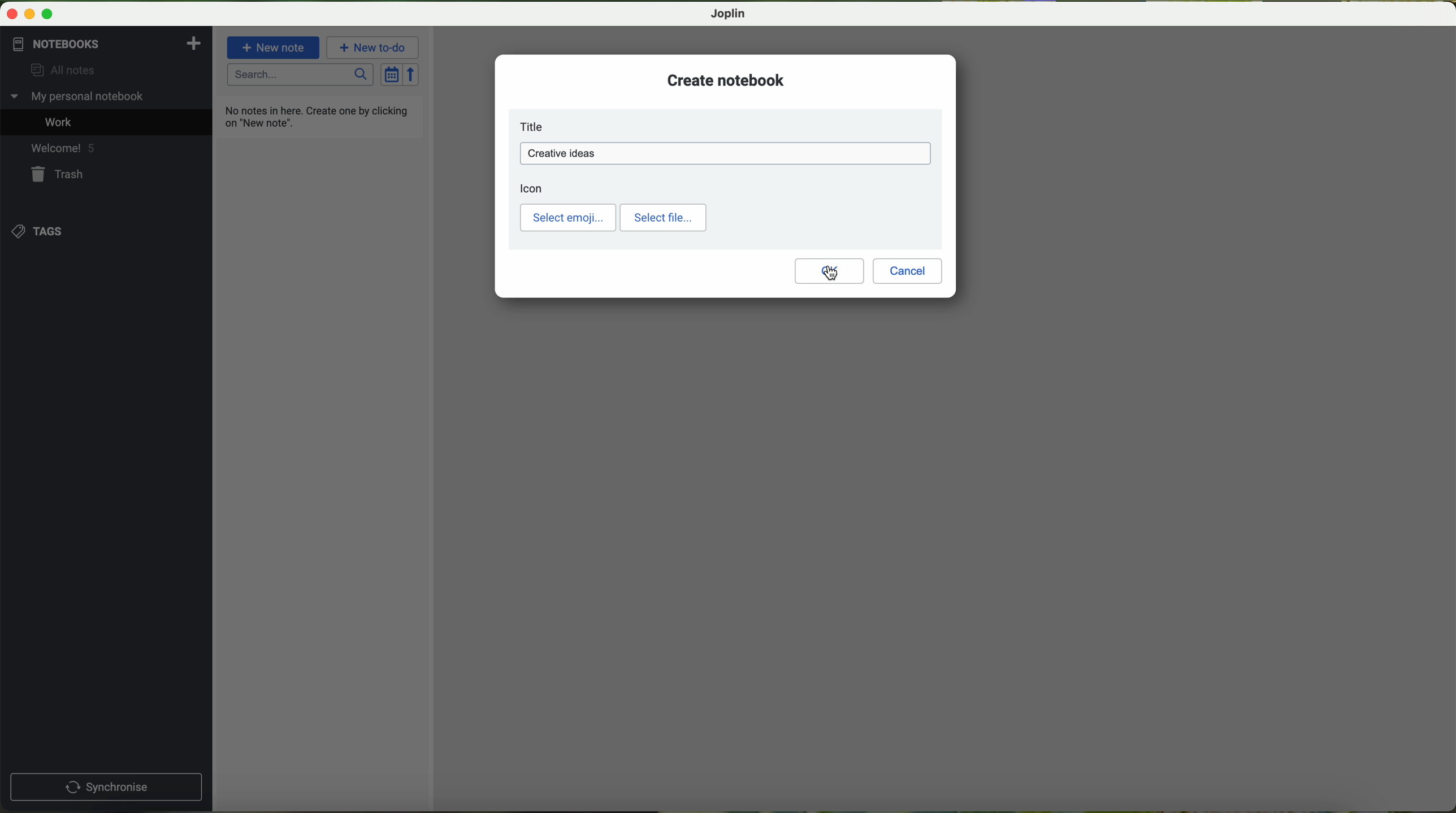 The image size is (1456, 813). I want to click on Cancel, so click(908, 271).